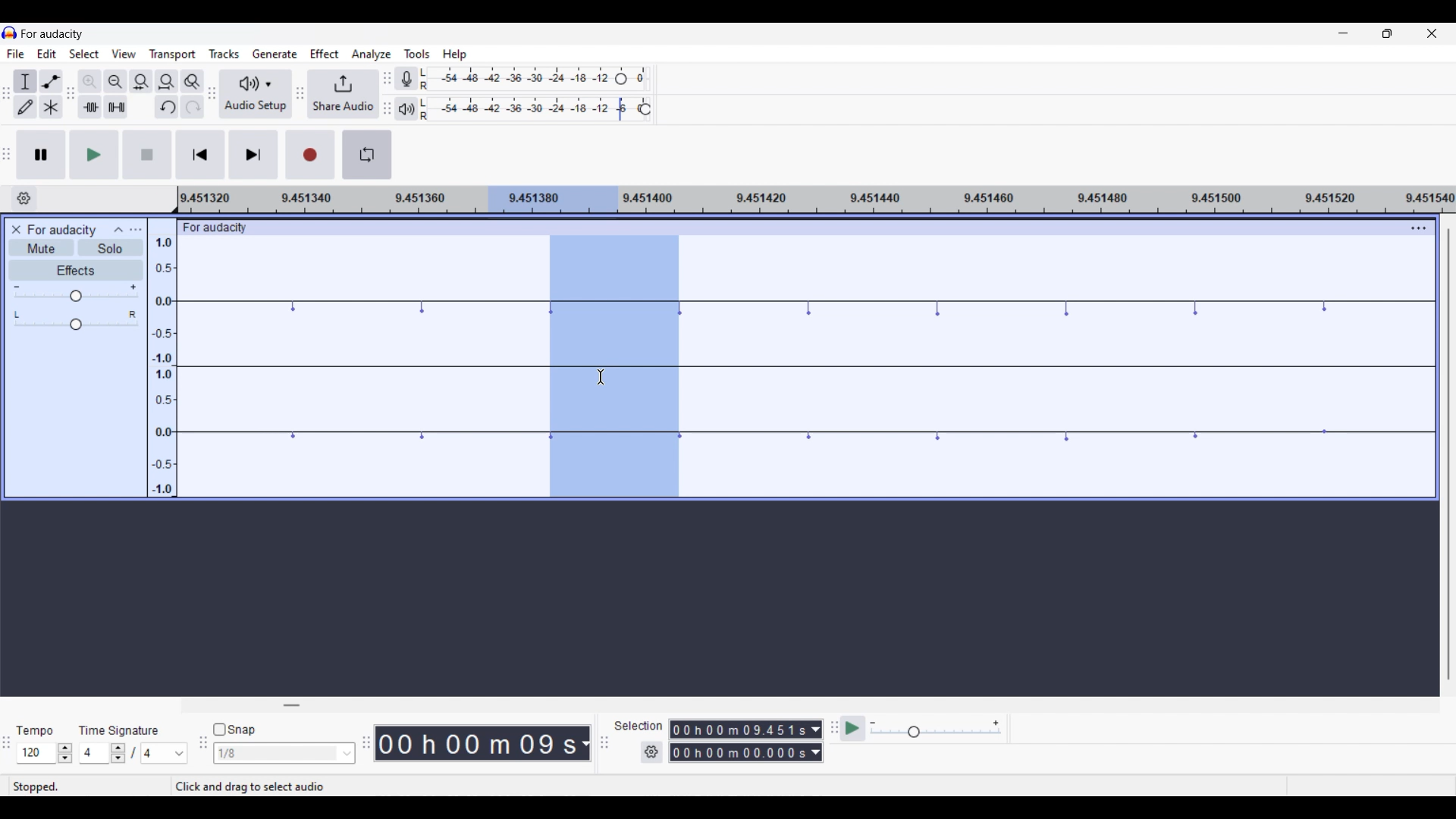 The width and height of the screenshot is (1456, 819). What do you see at coordinates (61, 230) in the screenshot?
I see `Current project` at bounding box center [61, 230].